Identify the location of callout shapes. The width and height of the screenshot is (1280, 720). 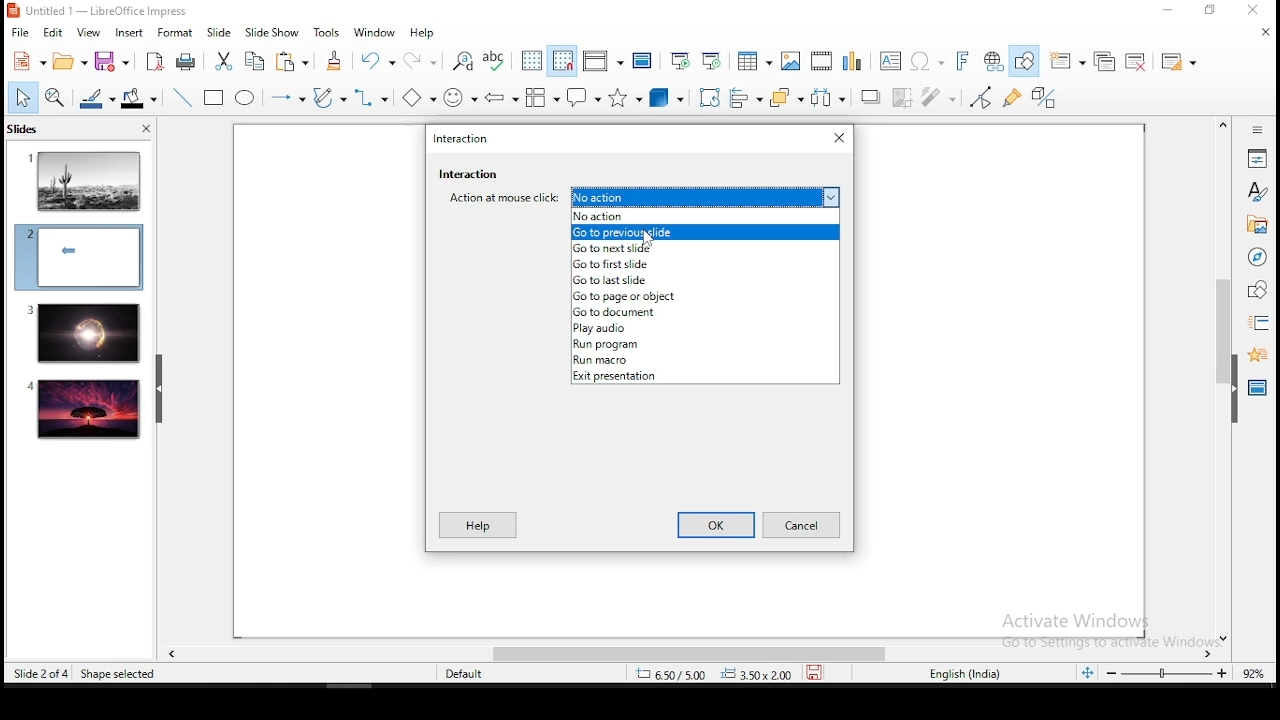
(585, 98).